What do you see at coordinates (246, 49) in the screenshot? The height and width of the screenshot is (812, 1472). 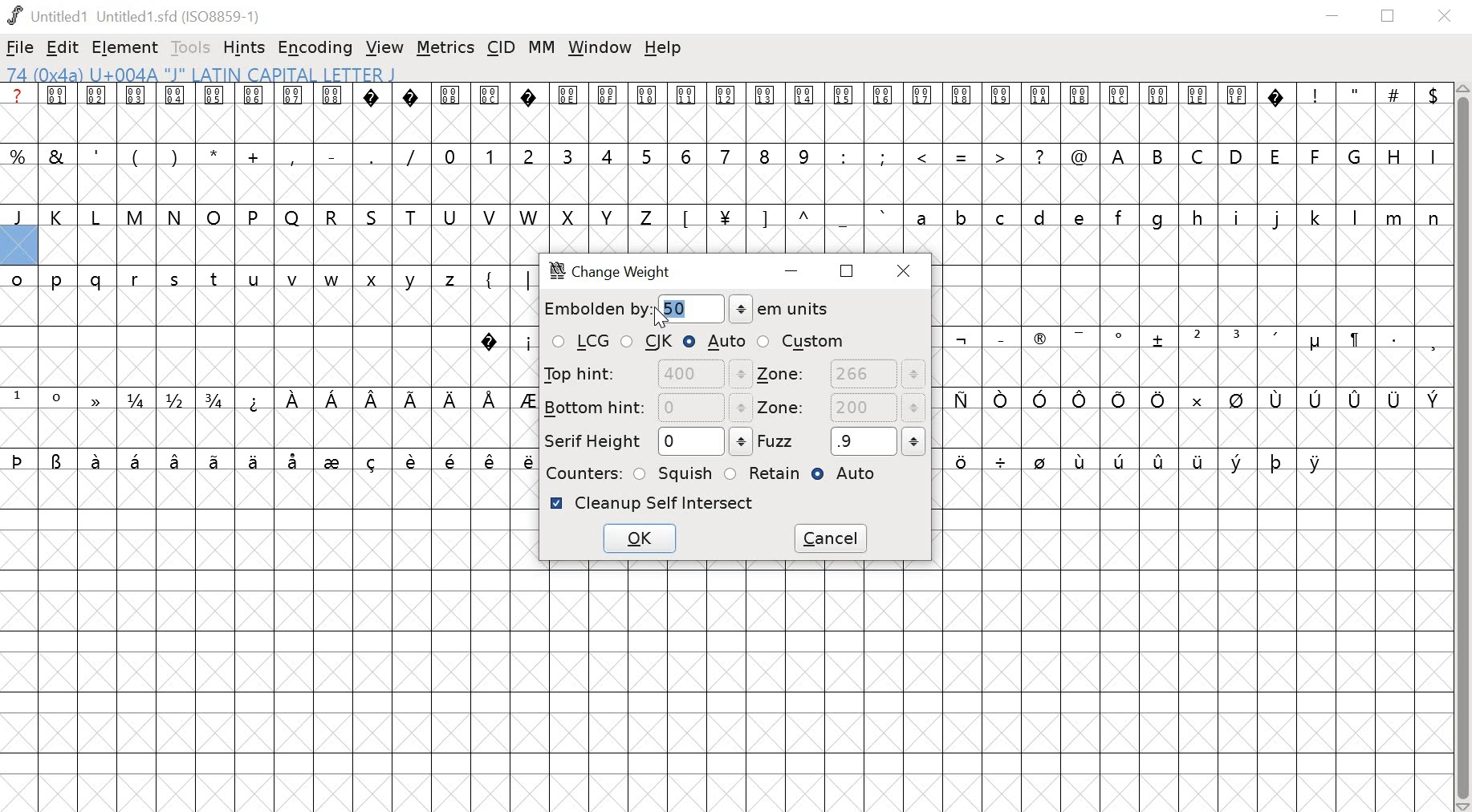 I see `HINTS` at bounding box center [246, 49].